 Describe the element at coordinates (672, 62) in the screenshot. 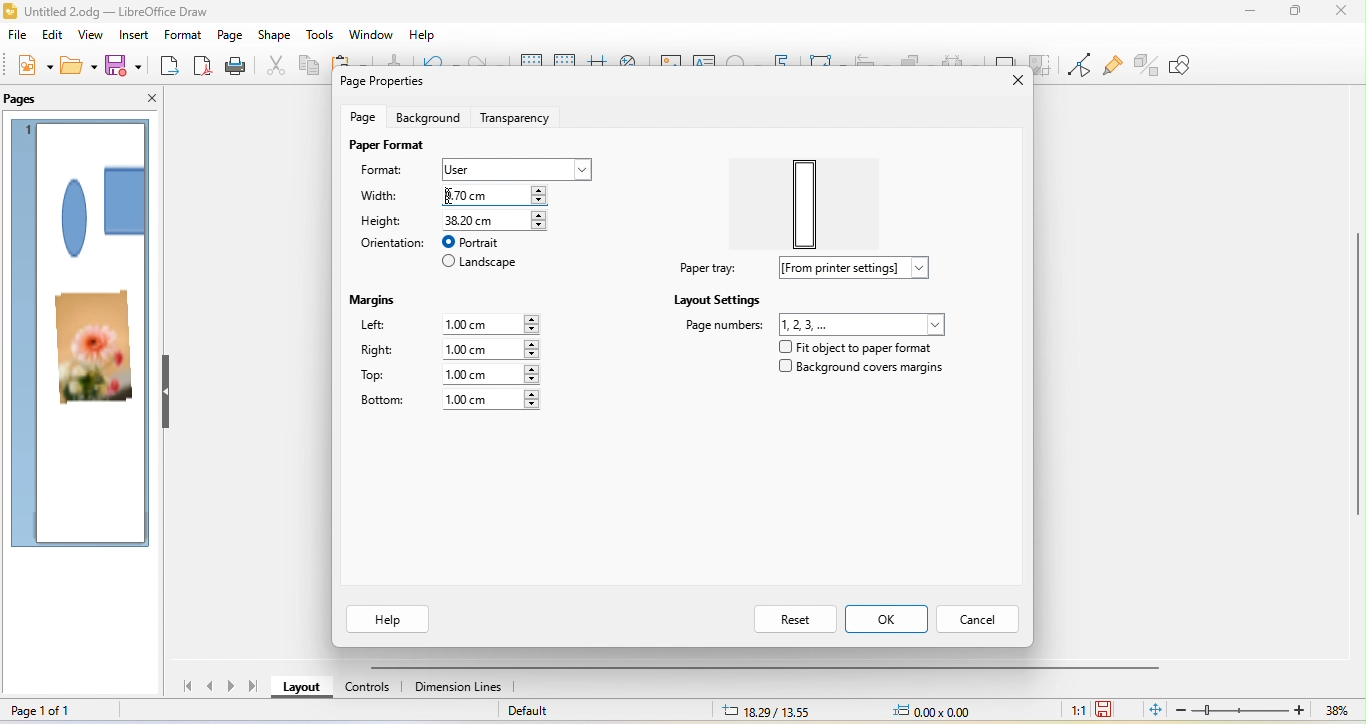

I see `image` at that location.